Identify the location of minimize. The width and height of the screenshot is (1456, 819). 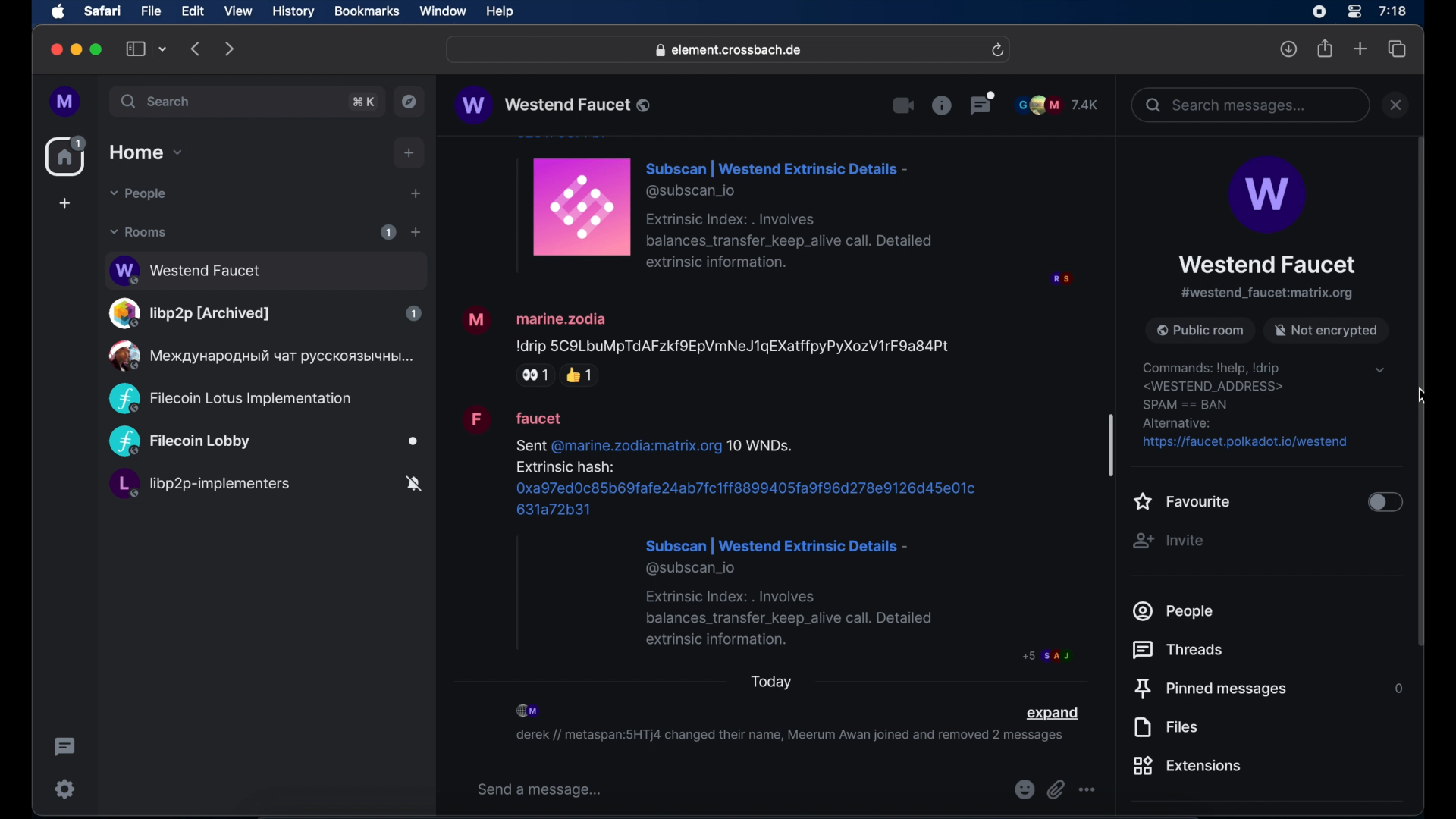
(77, 49).